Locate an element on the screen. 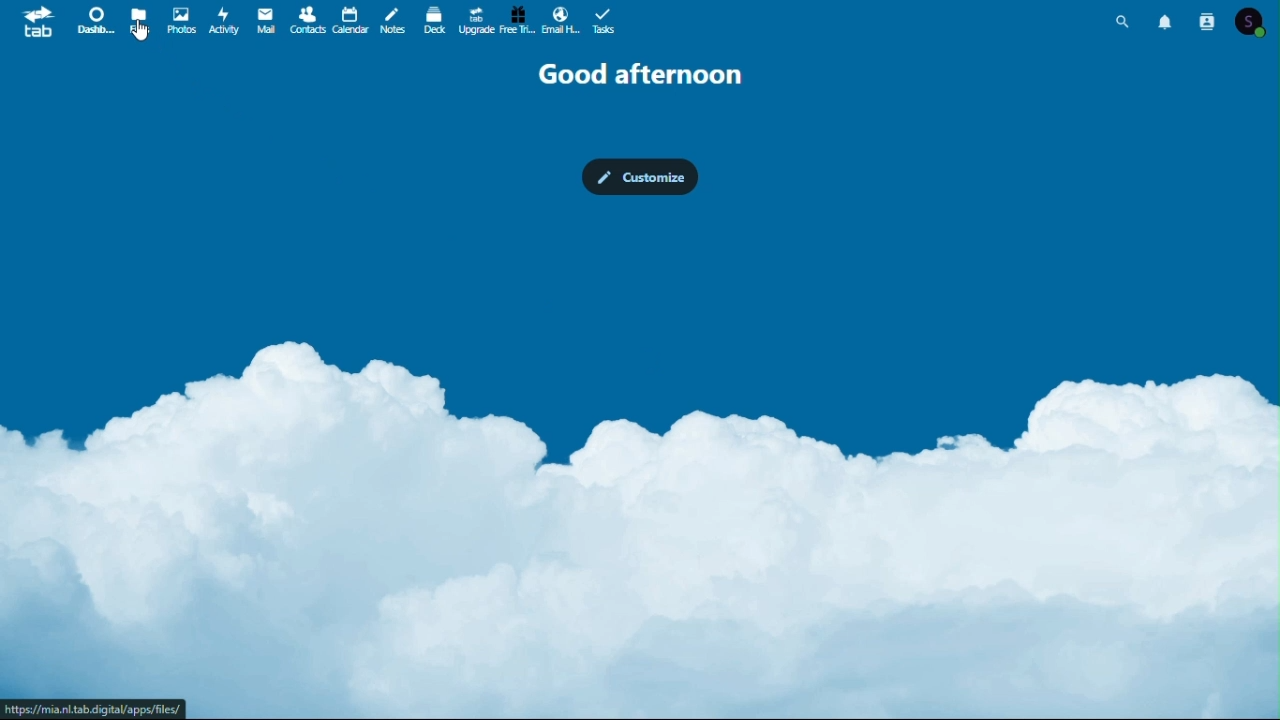 The width and height of the screenshot is (1280, 720). Mail is located at coordinates (264, 20).